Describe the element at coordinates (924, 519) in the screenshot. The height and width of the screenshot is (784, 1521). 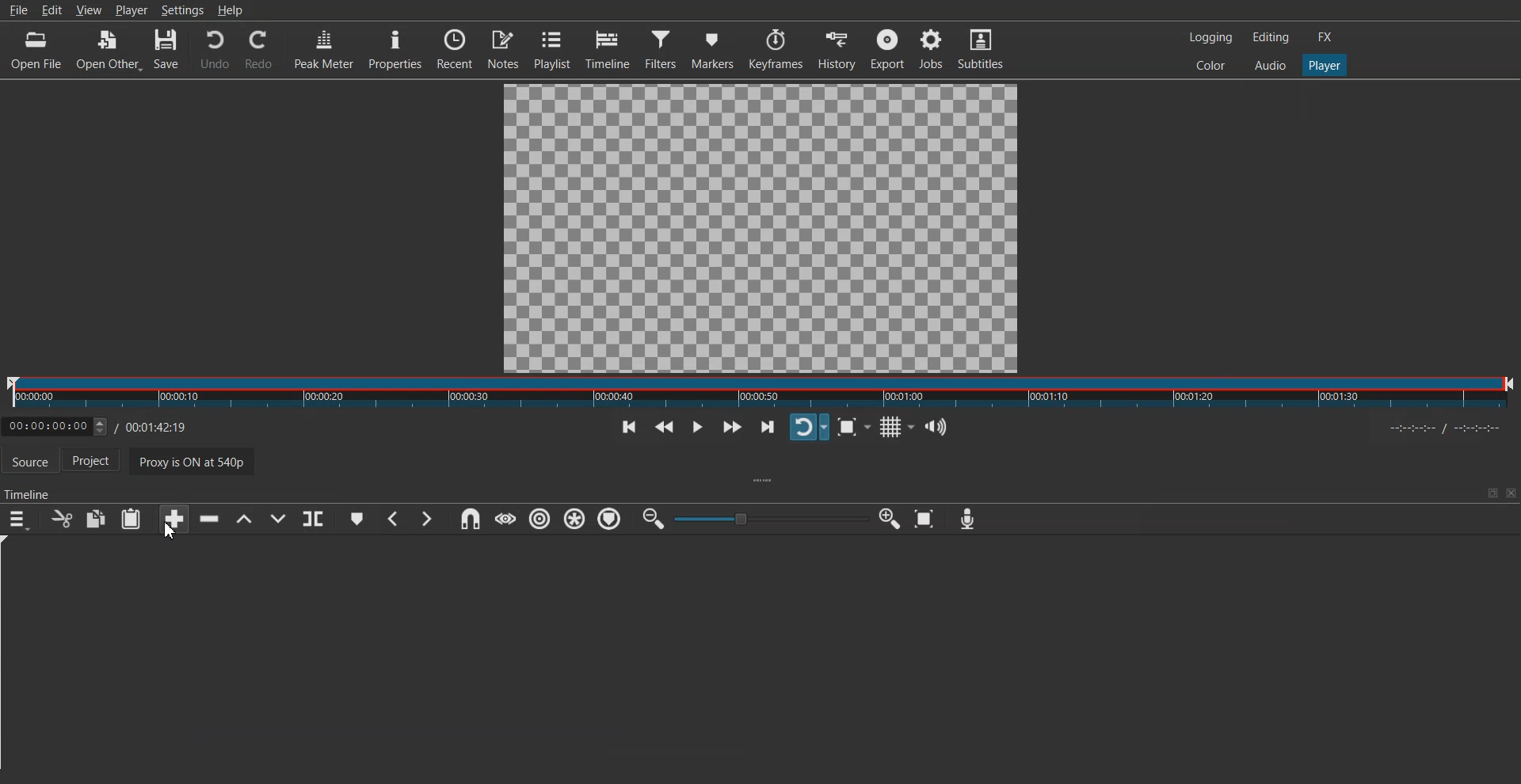
I see `Zoom timeline to Fit` at that location.